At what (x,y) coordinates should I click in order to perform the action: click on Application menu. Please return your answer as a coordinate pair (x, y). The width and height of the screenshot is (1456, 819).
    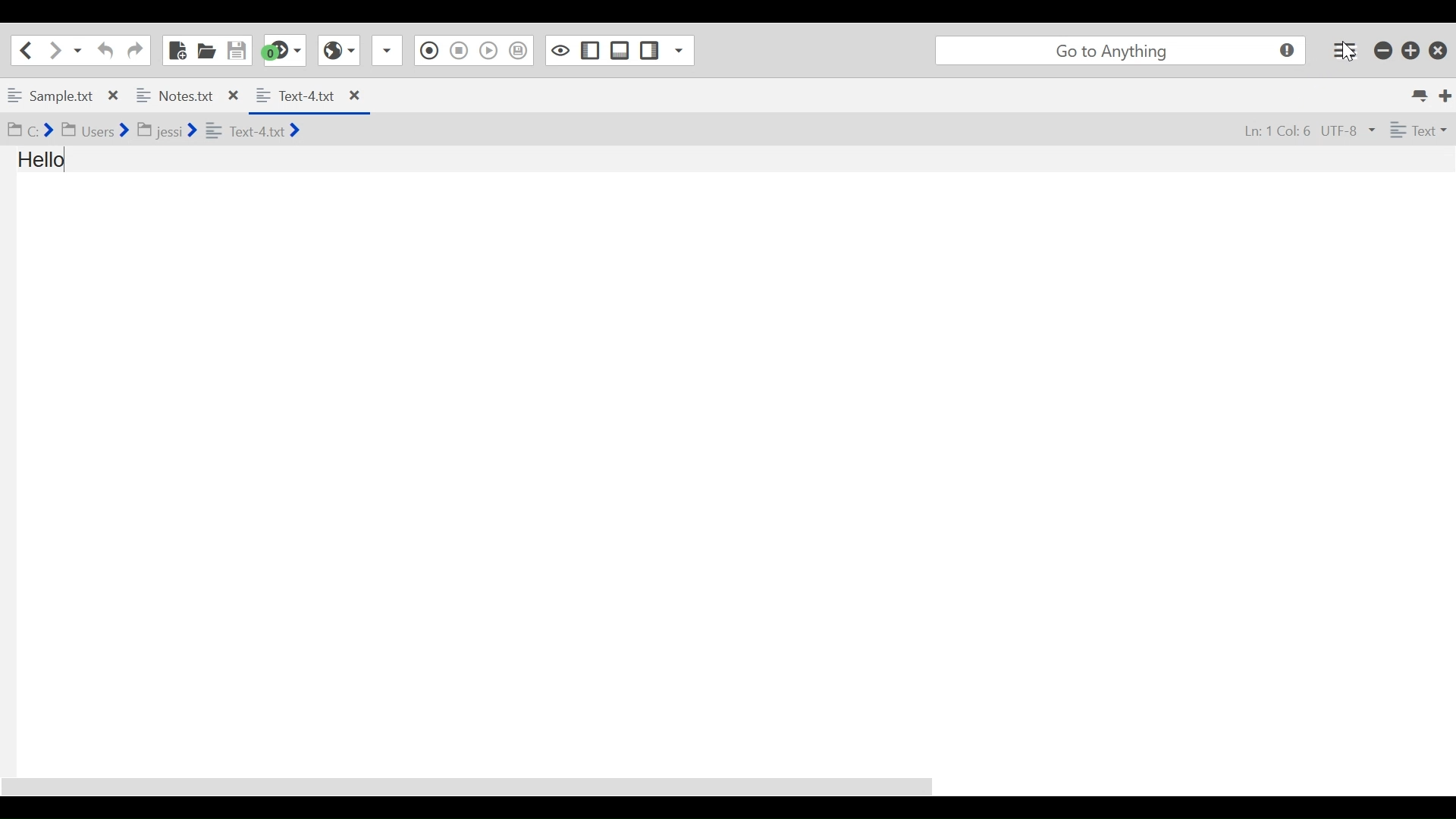
    Looking at the image, I should click on (1345, 51).